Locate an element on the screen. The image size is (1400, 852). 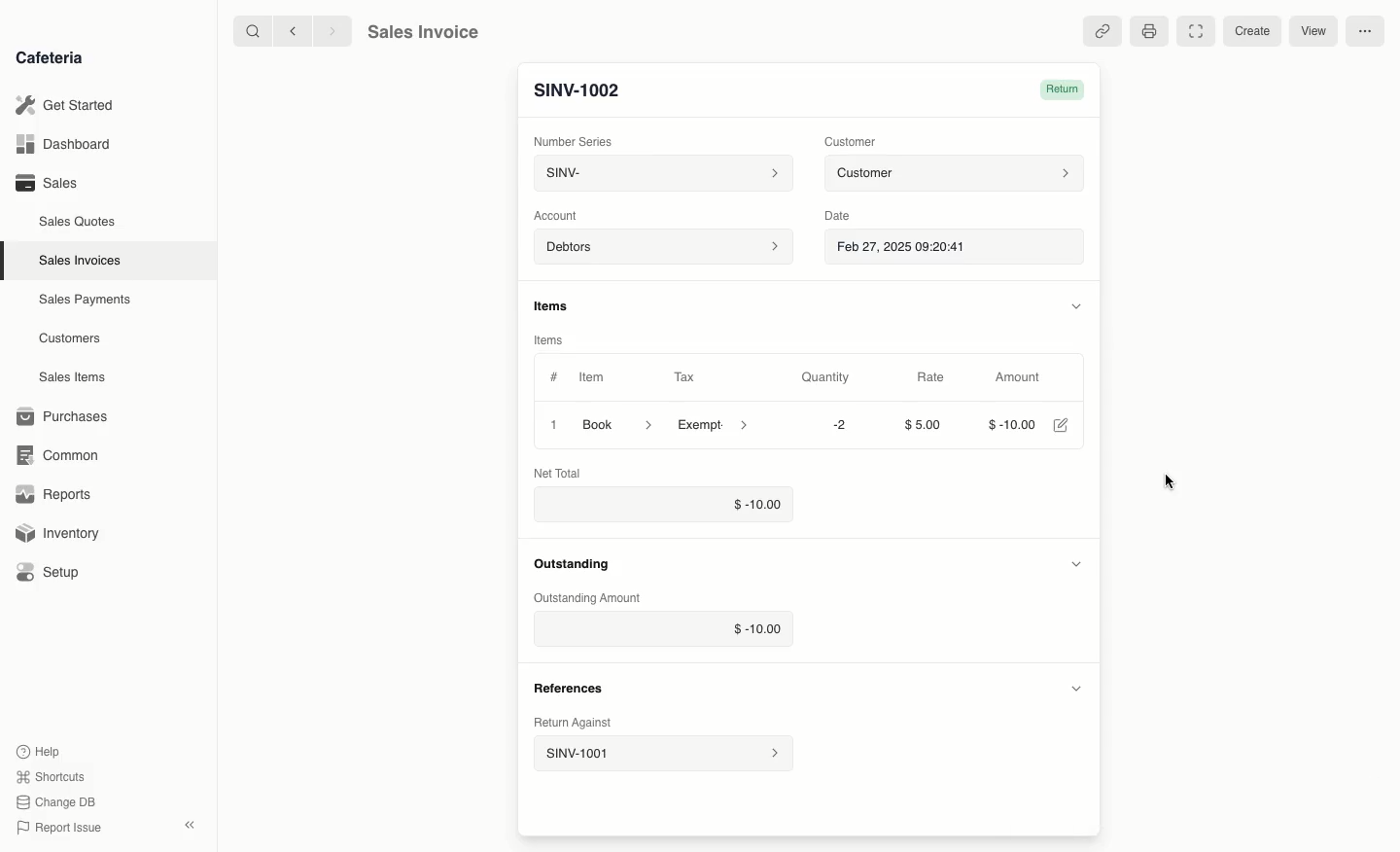
Shortcuts is located at coordinates (52, 775).